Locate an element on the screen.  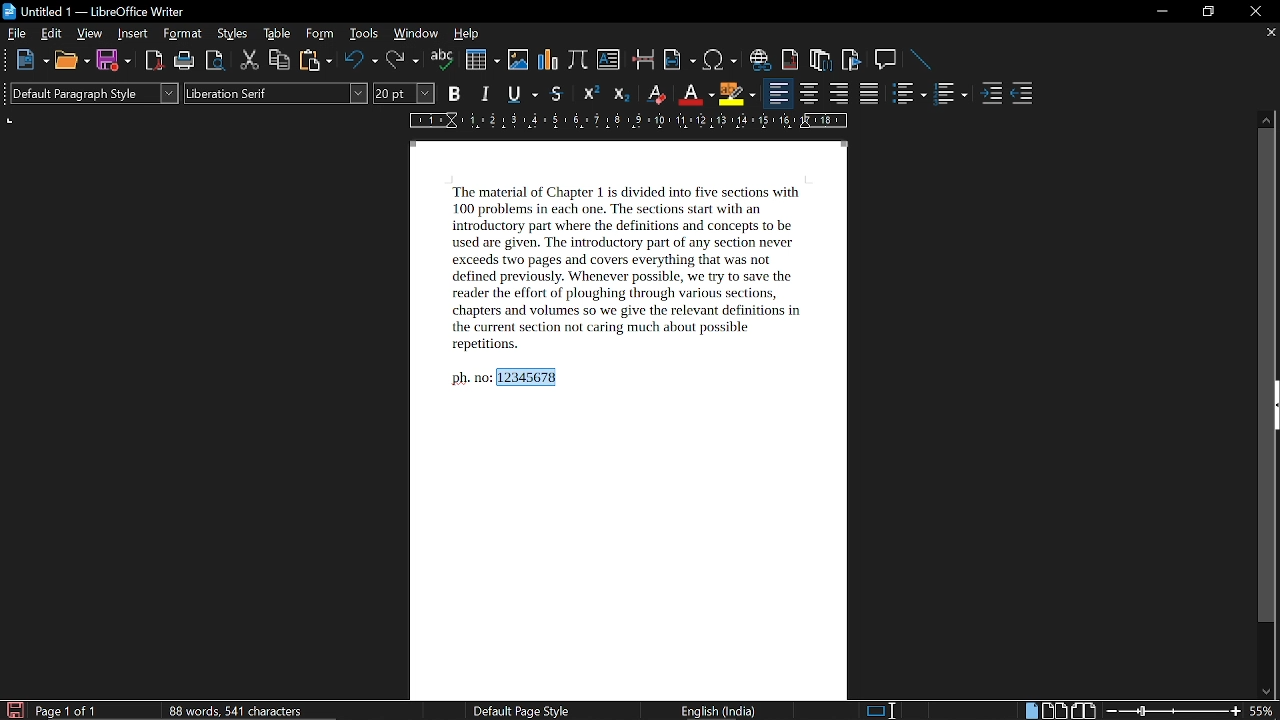
copy is located at coordinates (280, 61).